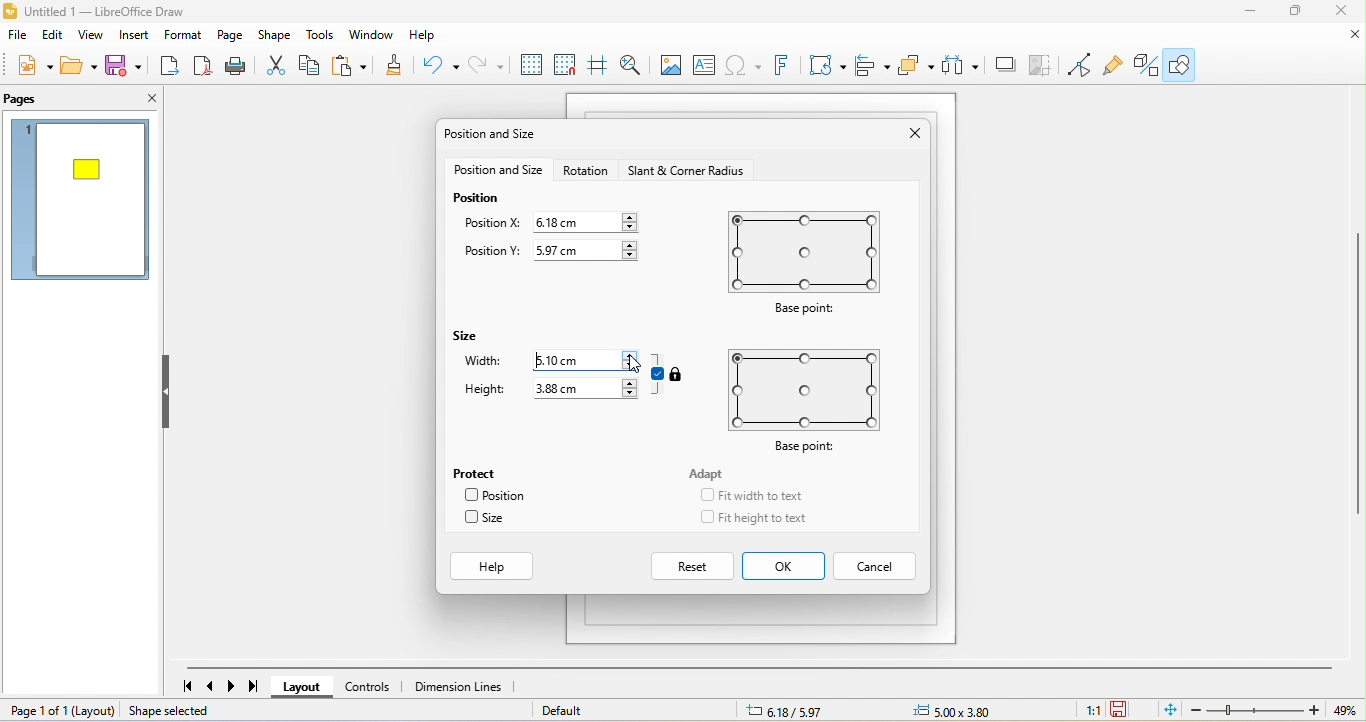 The width and height of the screenshot is (1366, 722). I want to click on 5.10 cm, so click(581, 358).